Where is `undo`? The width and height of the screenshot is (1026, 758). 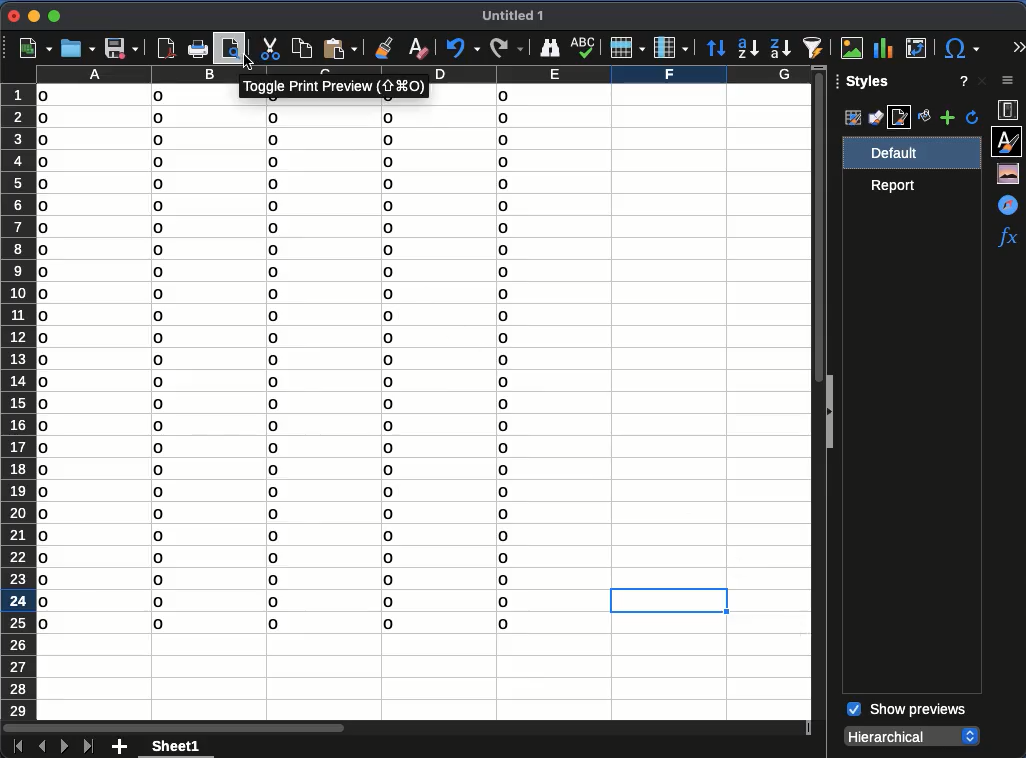
undo is located at coordinates (463, 49).